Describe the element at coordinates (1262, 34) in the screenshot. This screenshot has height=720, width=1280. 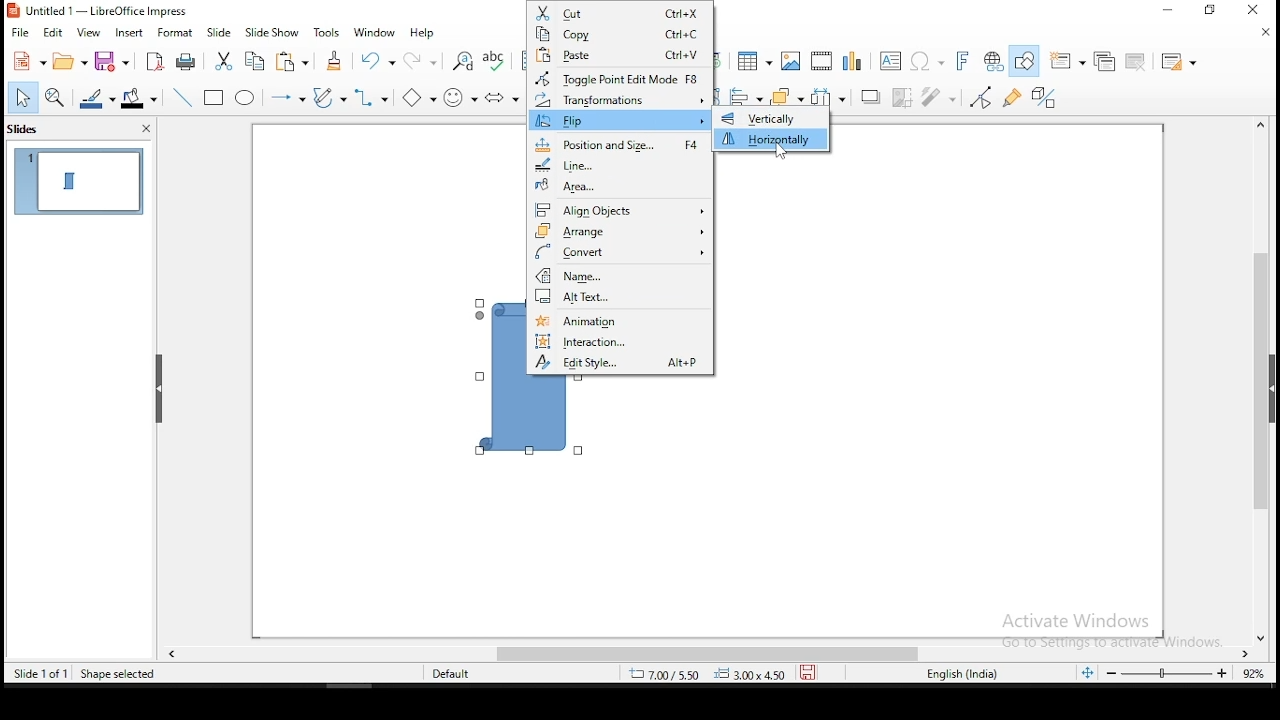
I see `close` at that location.